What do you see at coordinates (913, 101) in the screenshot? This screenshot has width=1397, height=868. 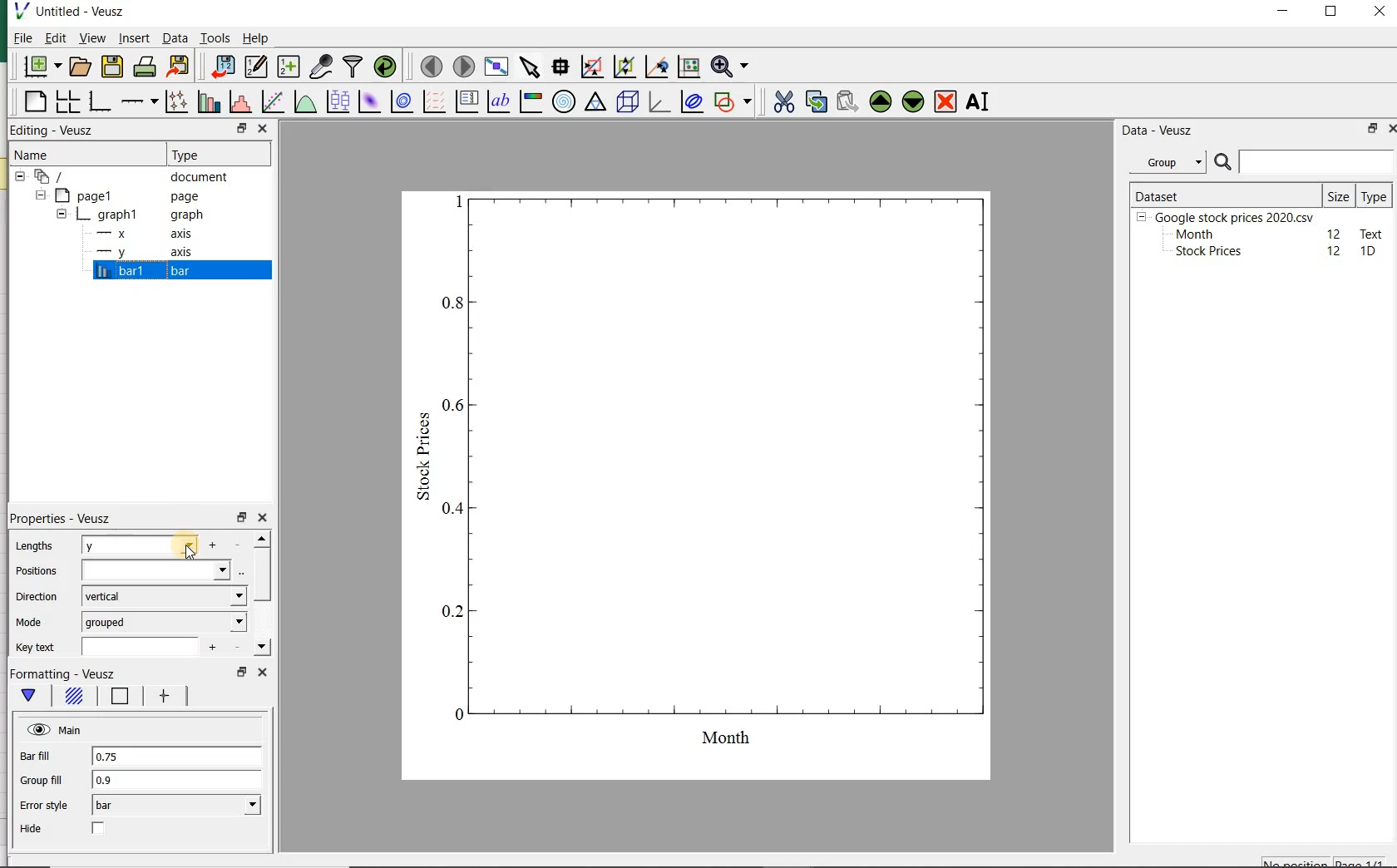 I see `move the selected widget down` at bounding box center [913, 101].